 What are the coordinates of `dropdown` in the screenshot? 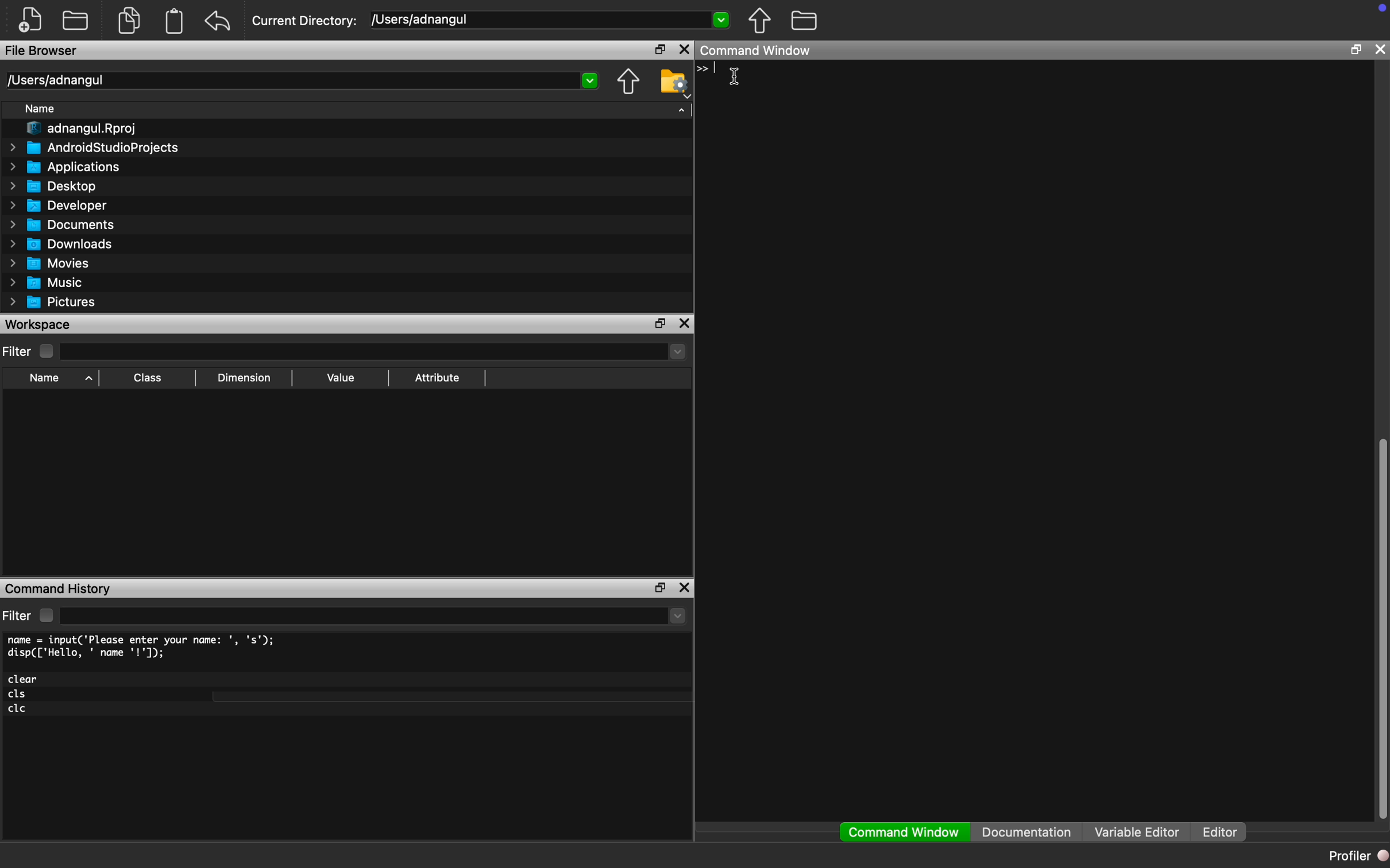 It's located at (675, 351).